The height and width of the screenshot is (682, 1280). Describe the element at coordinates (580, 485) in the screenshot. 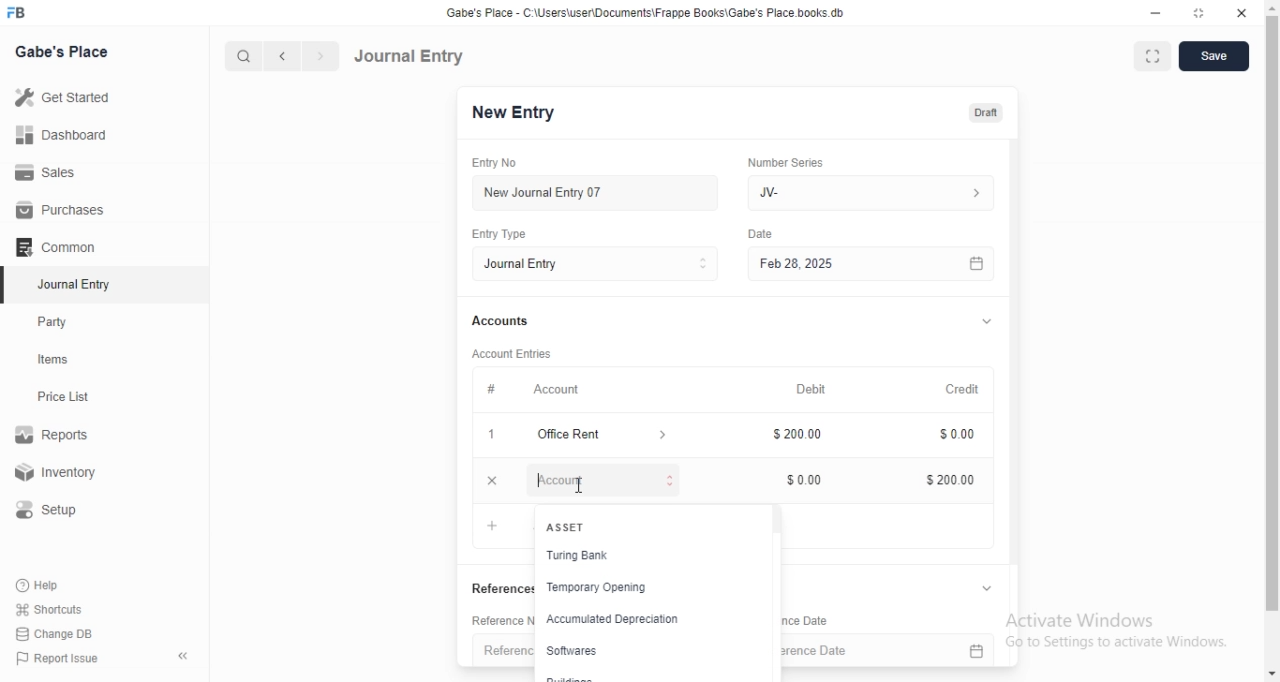

I see `cursor` at that location.